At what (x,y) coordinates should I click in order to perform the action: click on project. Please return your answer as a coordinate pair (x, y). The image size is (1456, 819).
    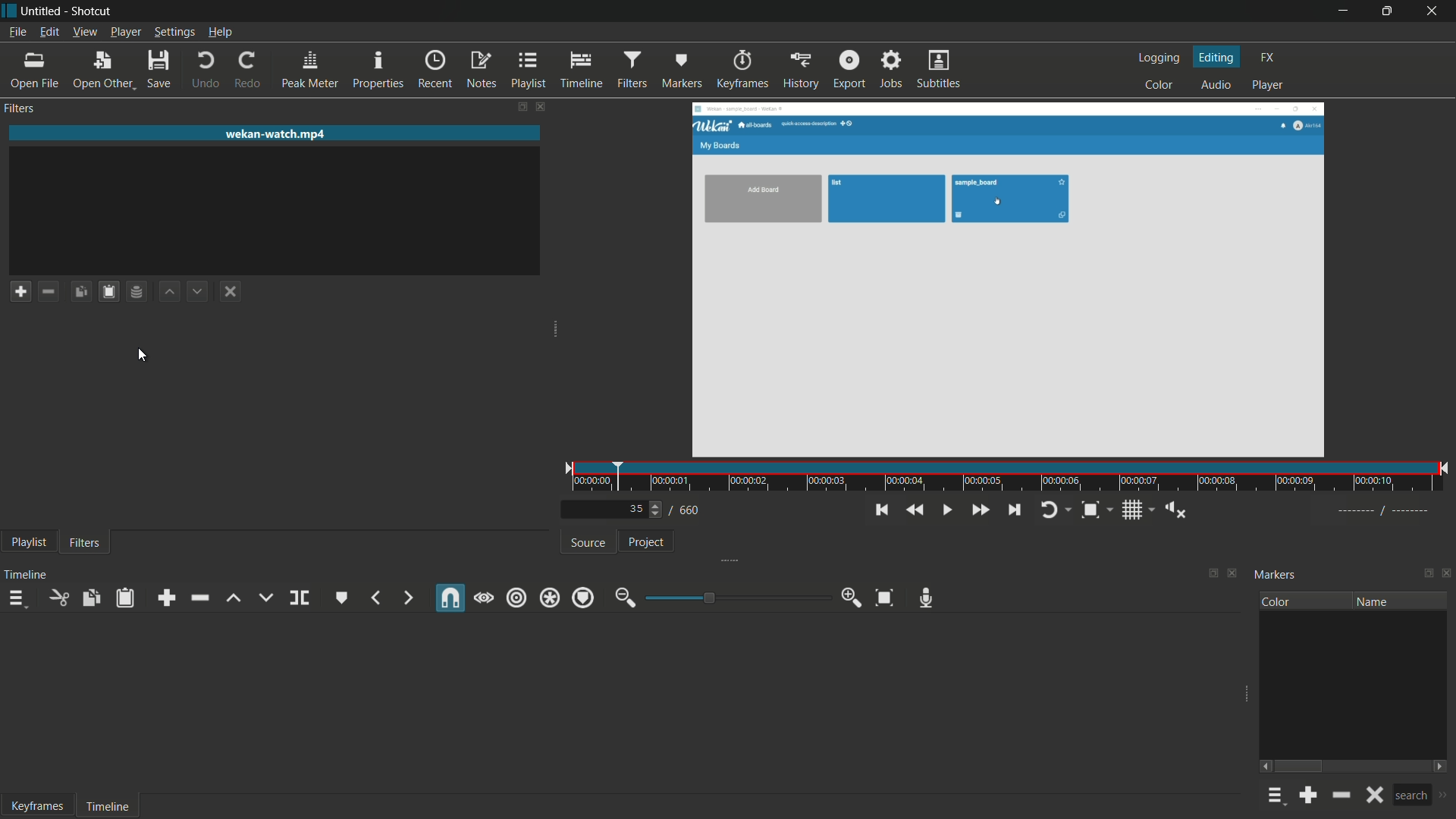
    Looking at the image, I should click on (647, 545).